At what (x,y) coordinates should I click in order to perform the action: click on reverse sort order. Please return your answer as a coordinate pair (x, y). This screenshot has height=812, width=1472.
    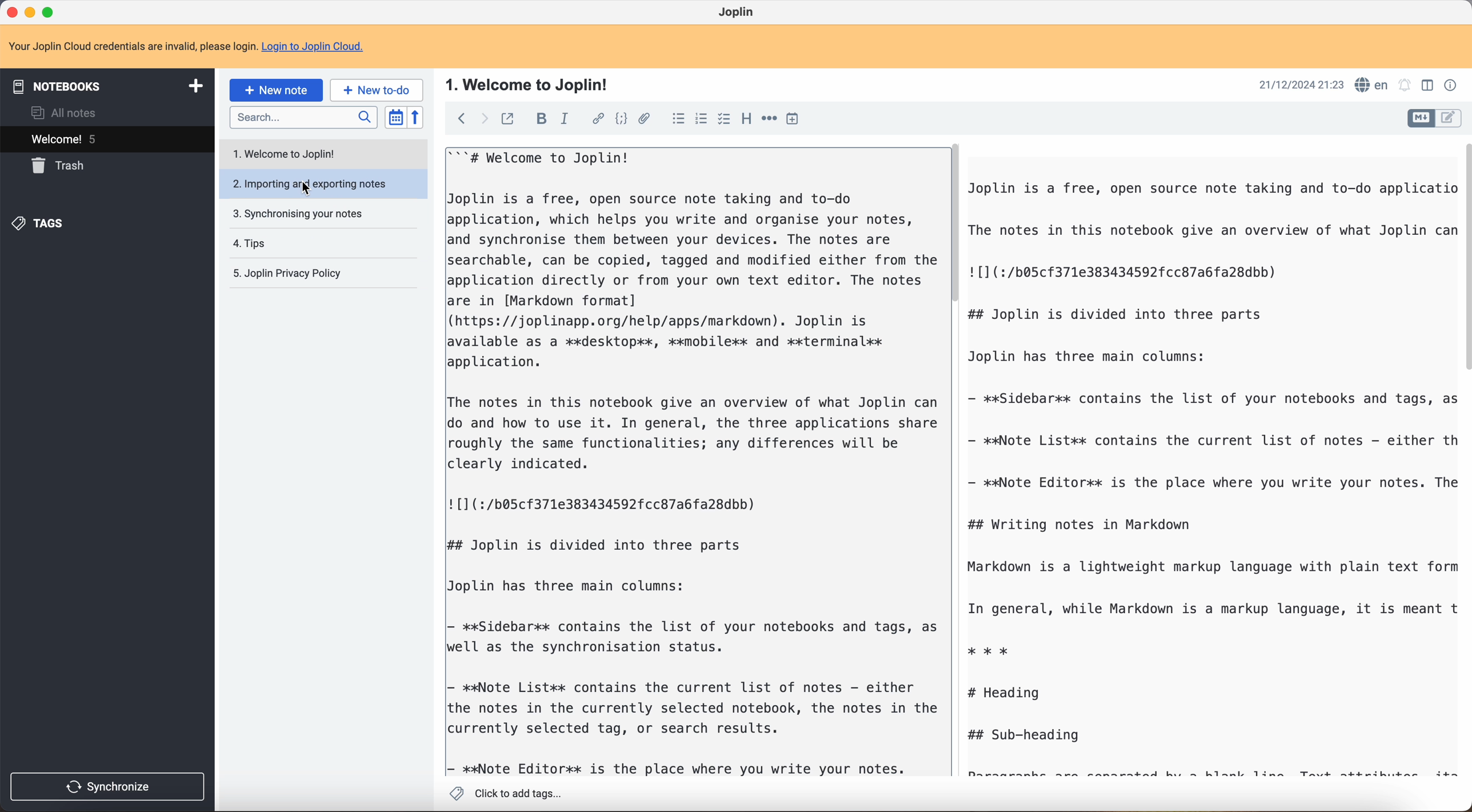
    Looking at the image, I should click on (414, 118).